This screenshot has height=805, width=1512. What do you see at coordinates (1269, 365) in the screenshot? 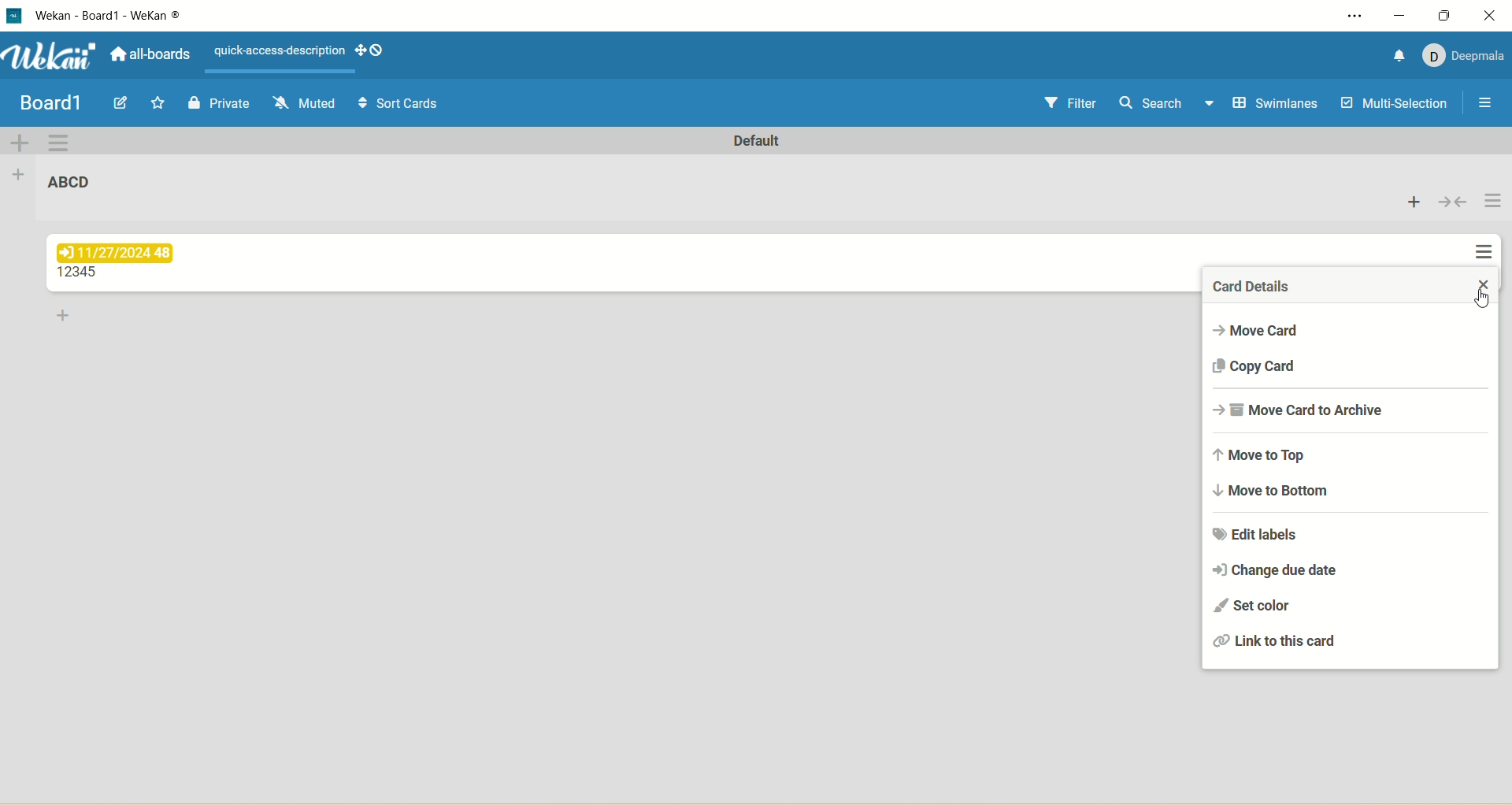
I see `copy card` at bounding box center [1269, 365].